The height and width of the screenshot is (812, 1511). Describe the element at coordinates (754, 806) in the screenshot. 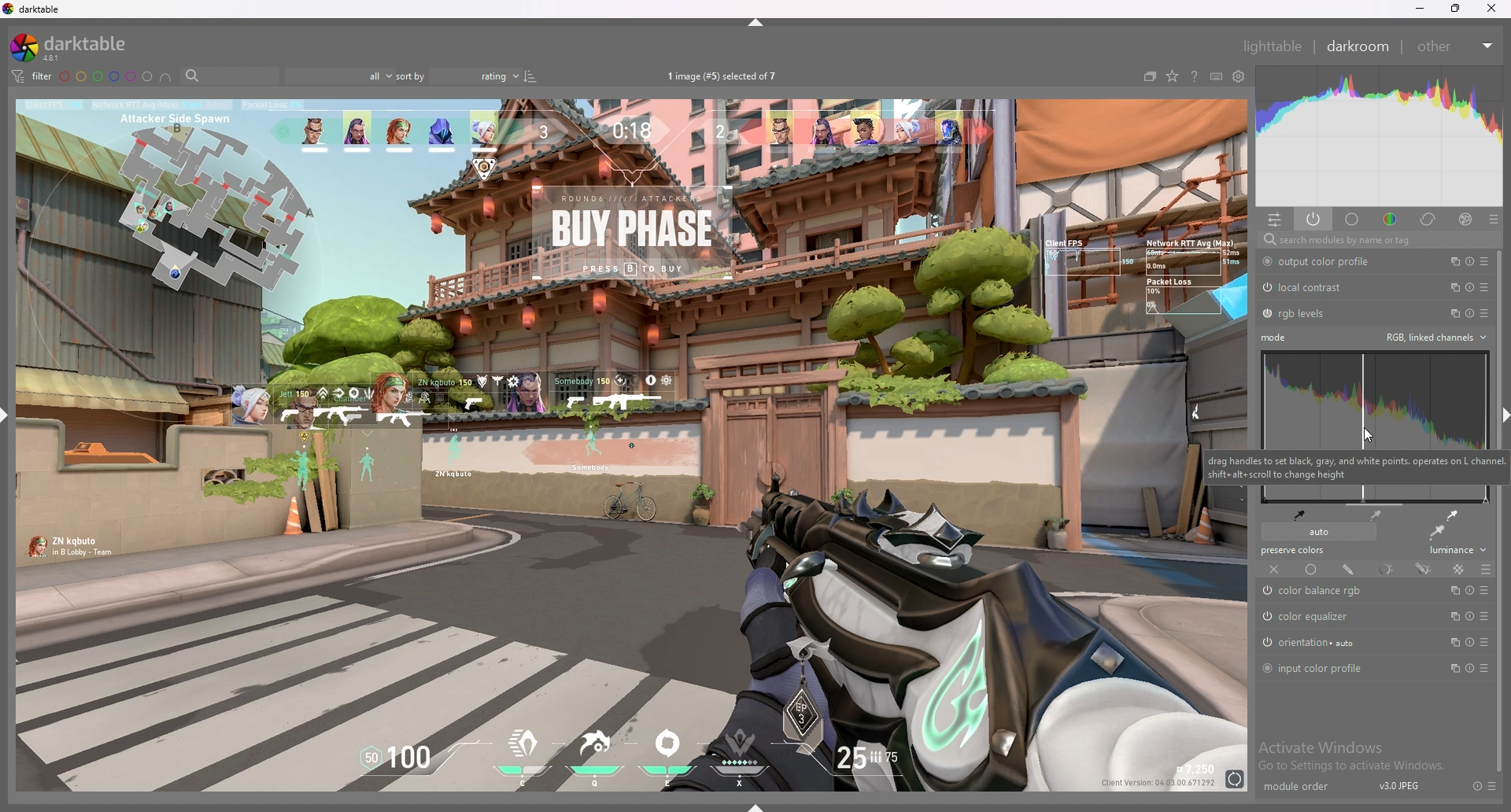

I see `show` at that location.